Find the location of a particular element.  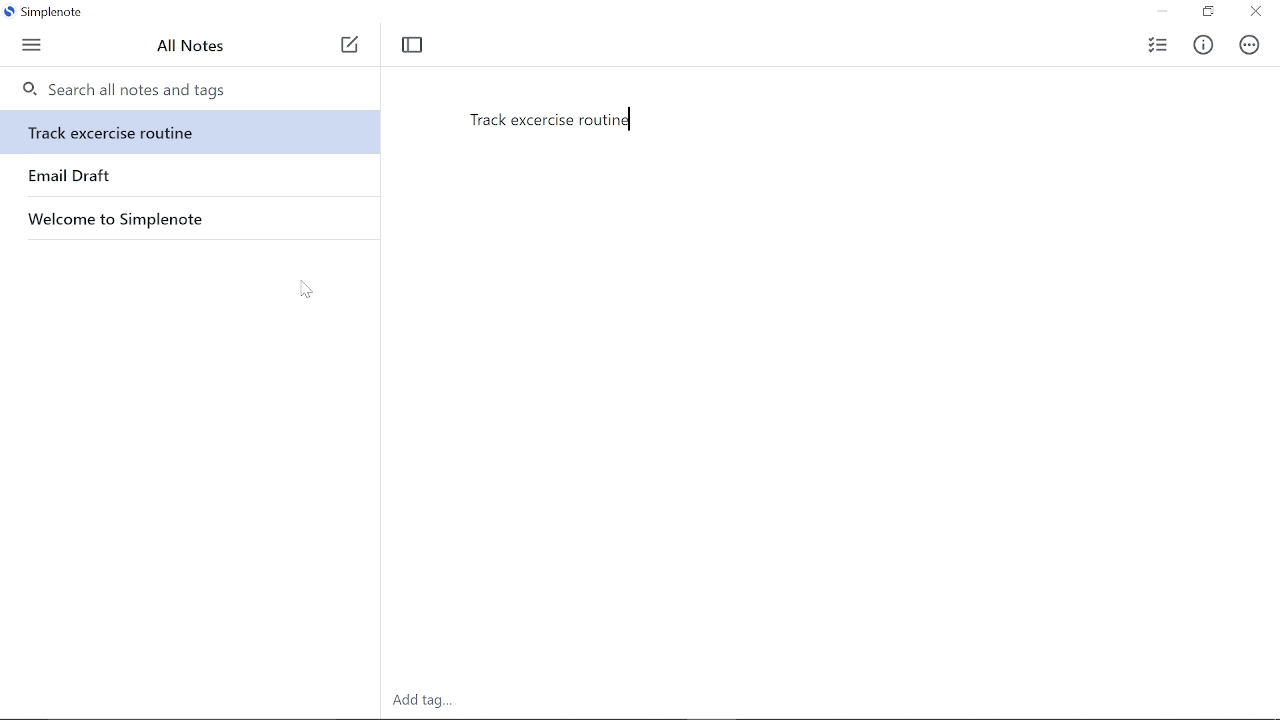

Track excercise routine is located at coordinates (191, 132).